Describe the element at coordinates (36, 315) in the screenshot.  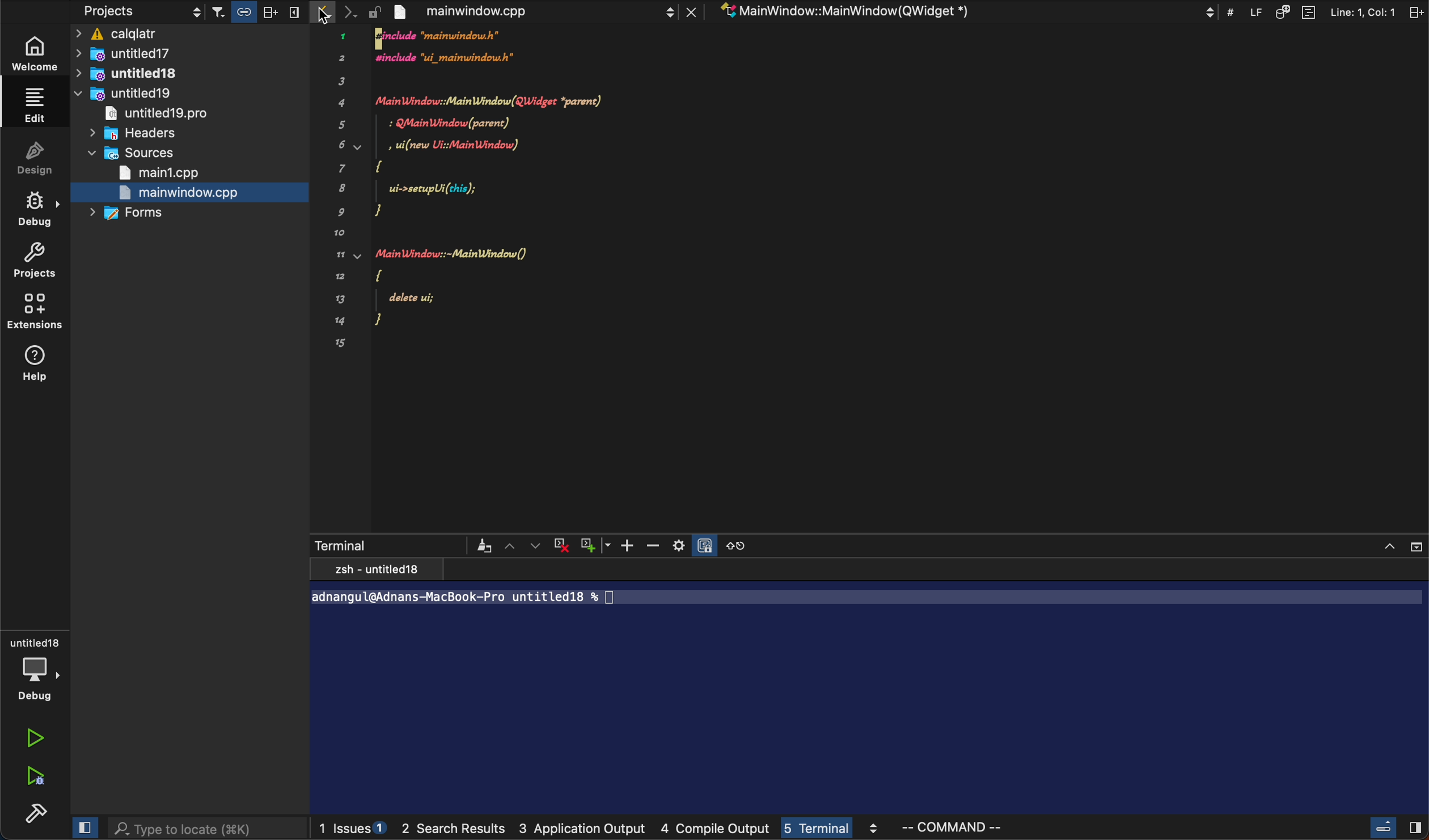
I see `extensions` at that location.